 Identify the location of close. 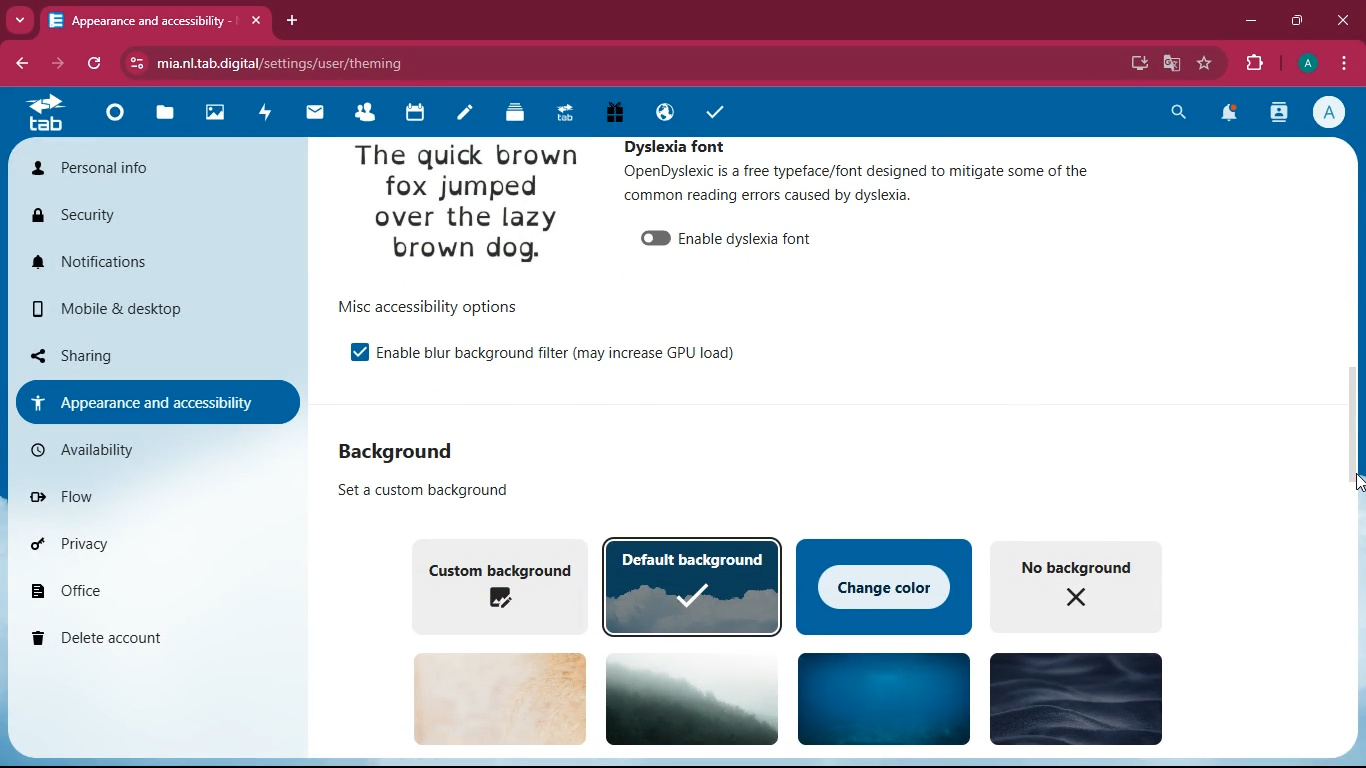
(1344, 21).